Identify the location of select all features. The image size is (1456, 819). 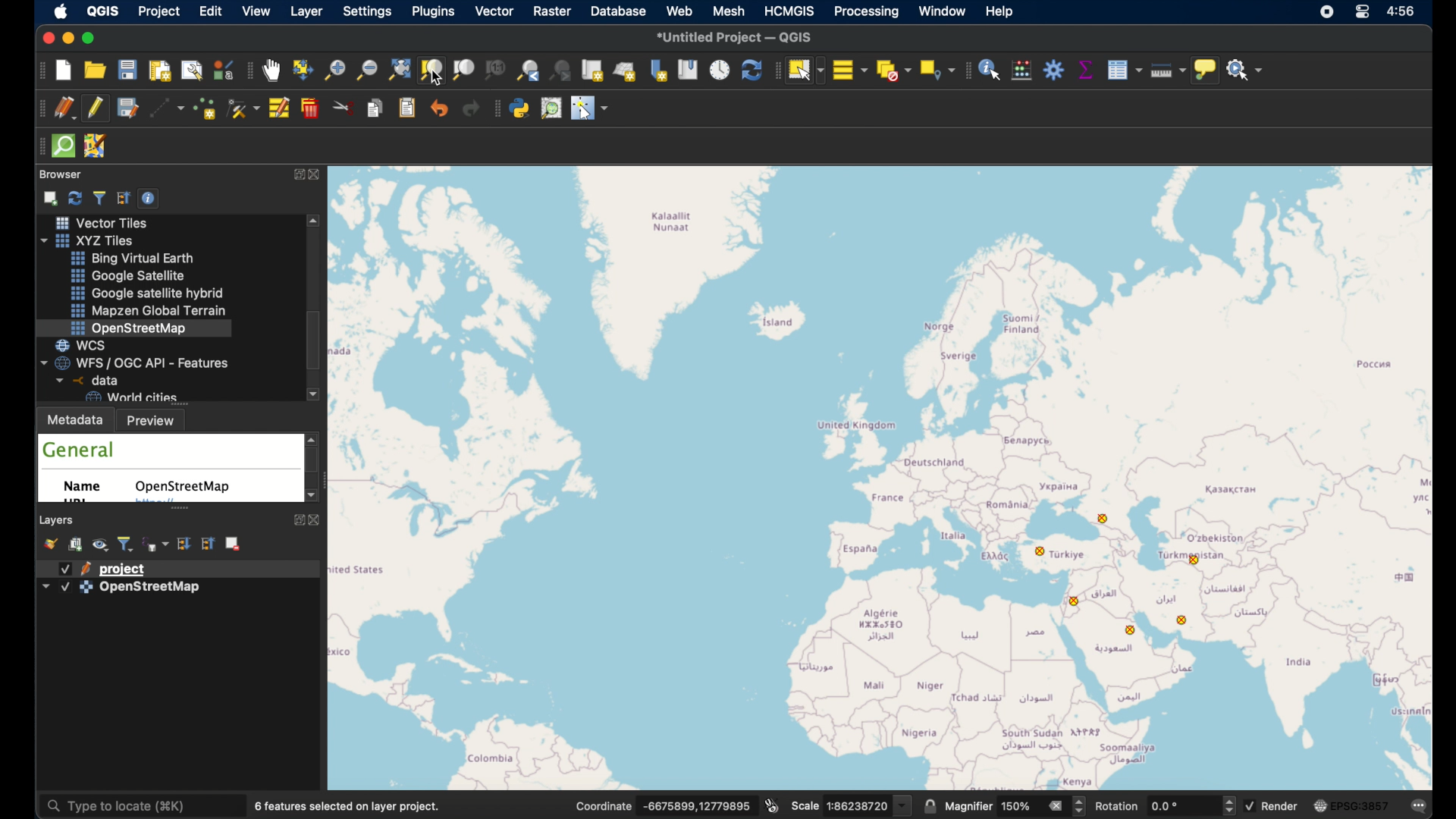
(850, 69).